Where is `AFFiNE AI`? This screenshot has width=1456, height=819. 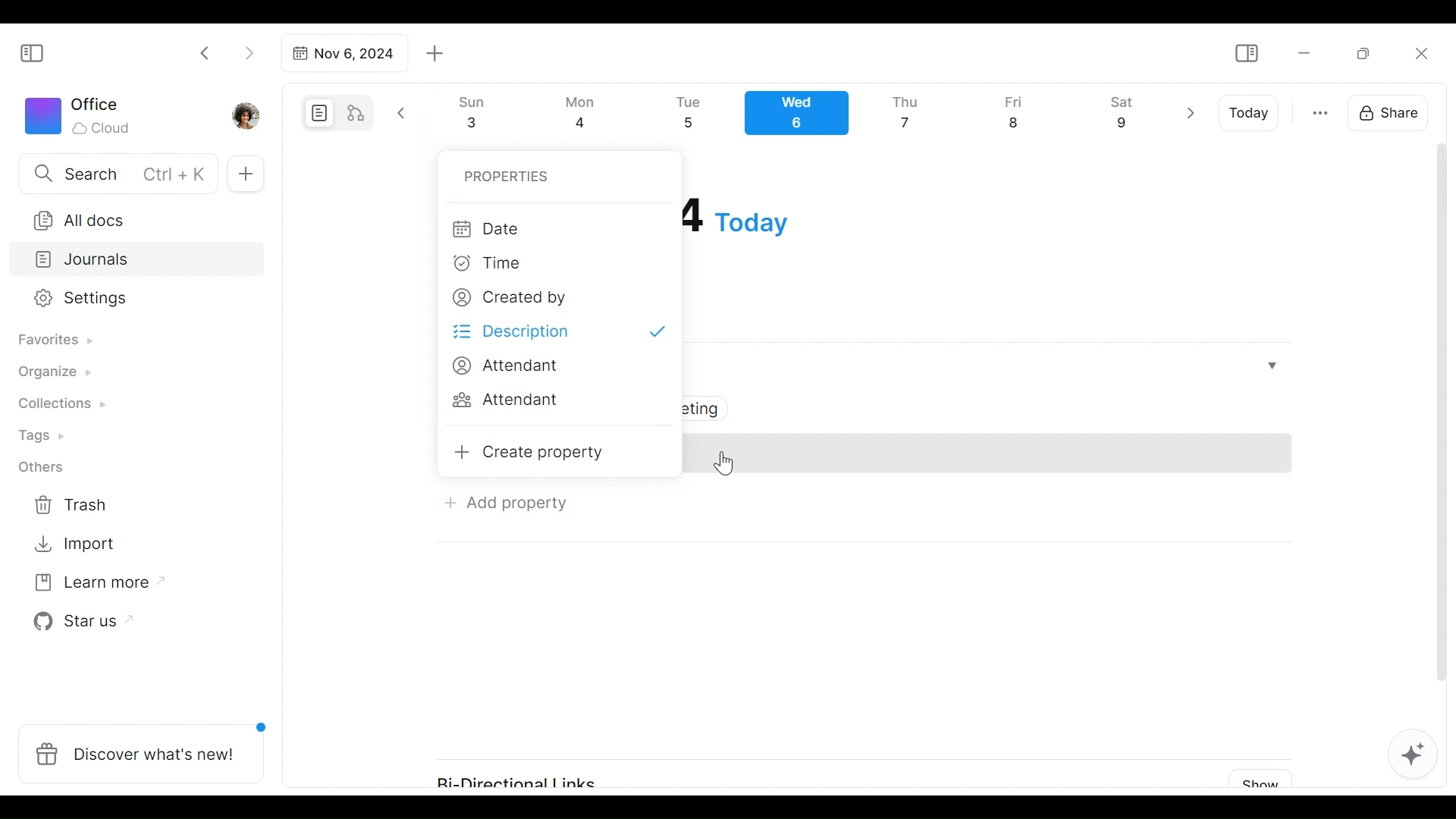 AFFiNE AI is located at coordinates (1413, 756).